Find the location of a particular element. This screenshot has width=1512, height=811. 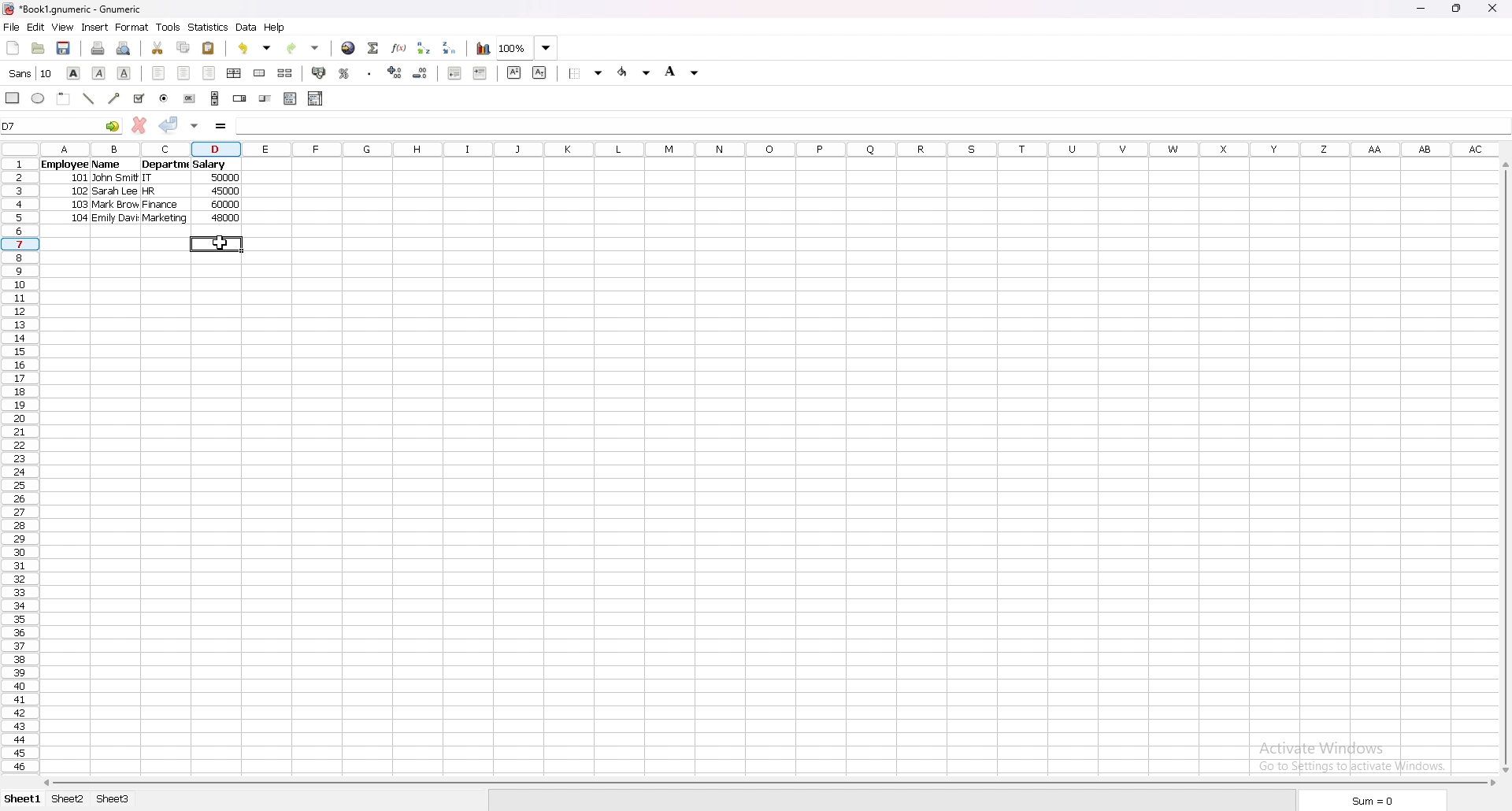

101 is located at coordinates (80, 179).